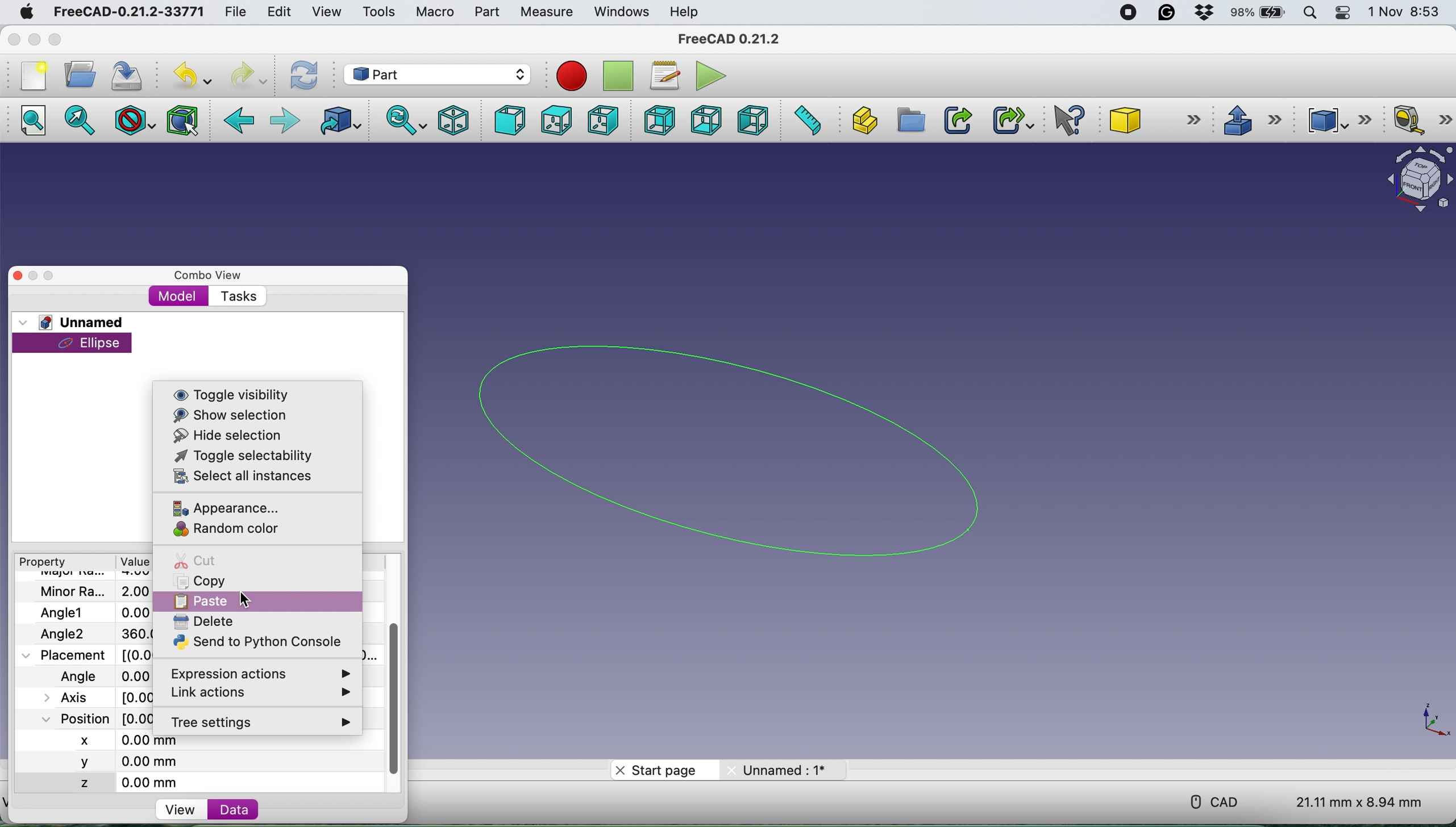 This screenshot has width=1456, height=827. What do you see at coordinates (53, 278) in the screenshot?
I see `maximise` at bounding box center [53, 278].